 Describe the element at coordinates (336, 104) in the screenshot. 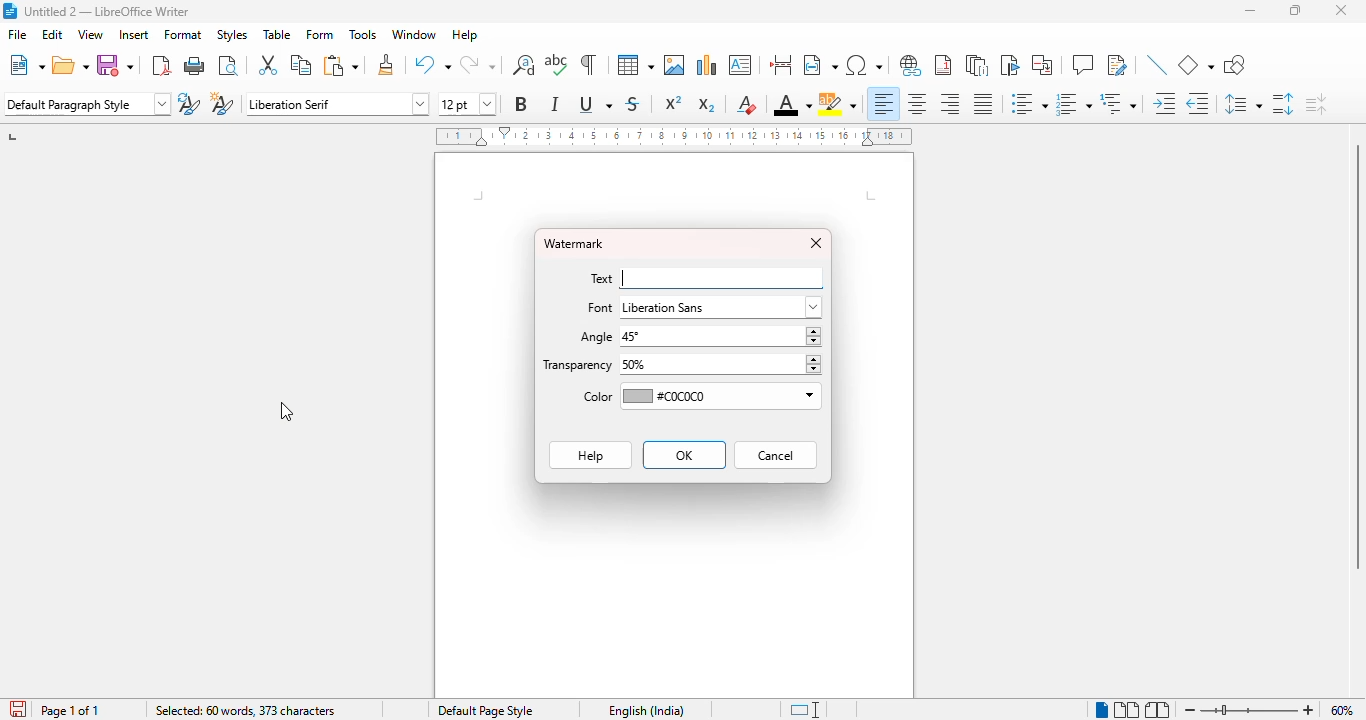

I see `font name` at that location.